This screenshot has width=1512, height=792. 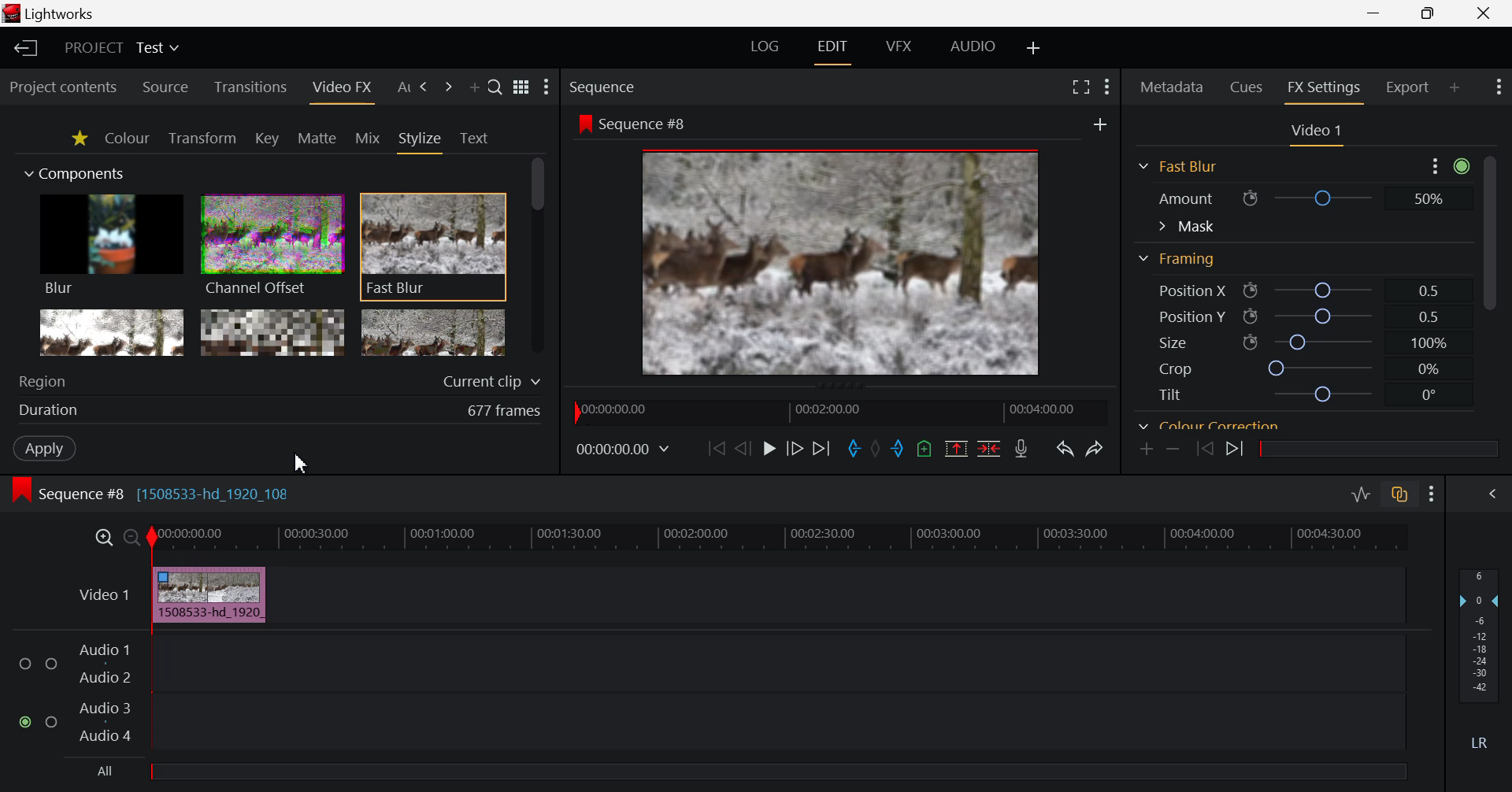 I want to click on Framing, so click(x=1299, y=258).